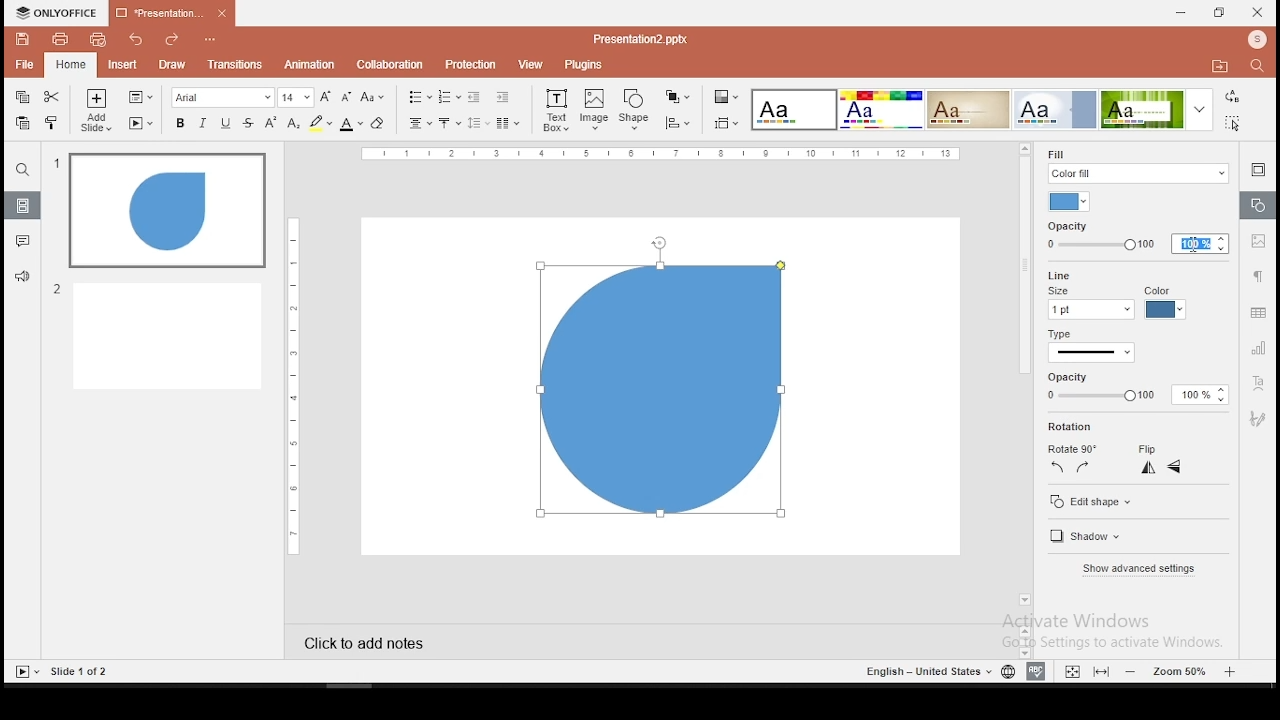 Image resolution: width=1280 pixels, height=720 pixels. I want to click on english - united states, so click(925, 674).